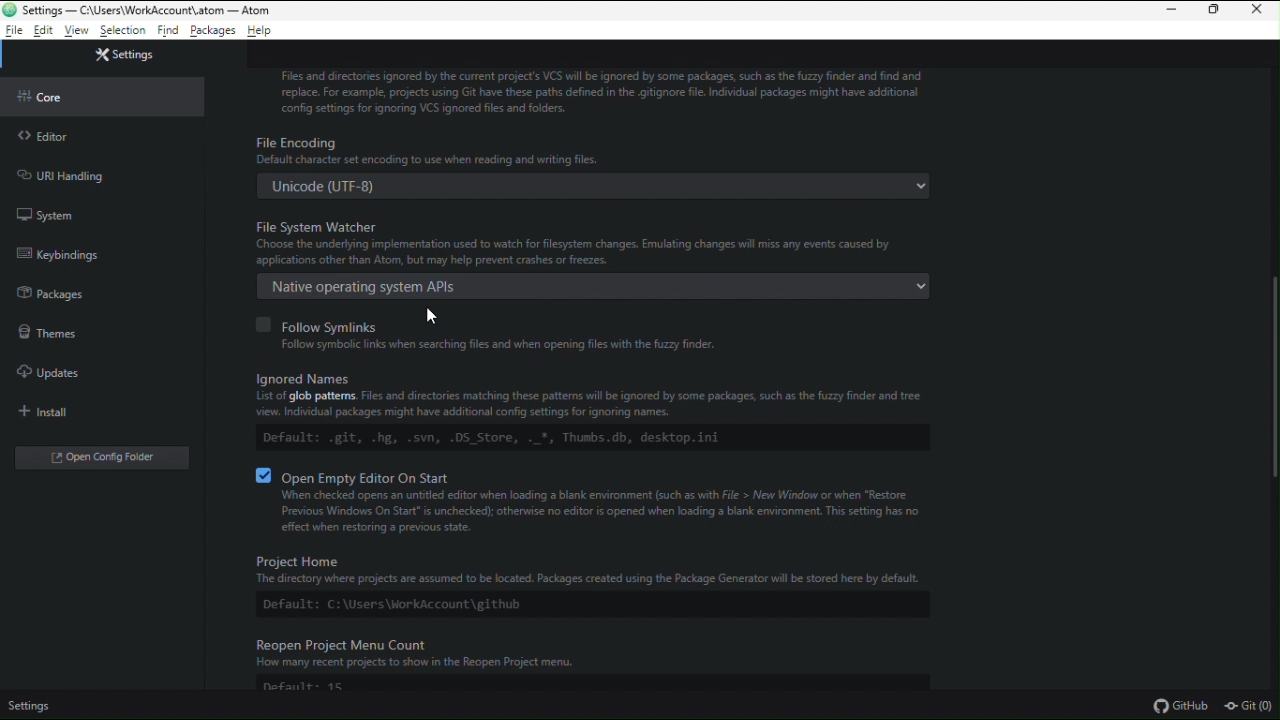 This screenshot has width=1280, height=720. Describe the element at coordinates (603, 501) in the screenshot. I see `Open empty editor on start` at that location.